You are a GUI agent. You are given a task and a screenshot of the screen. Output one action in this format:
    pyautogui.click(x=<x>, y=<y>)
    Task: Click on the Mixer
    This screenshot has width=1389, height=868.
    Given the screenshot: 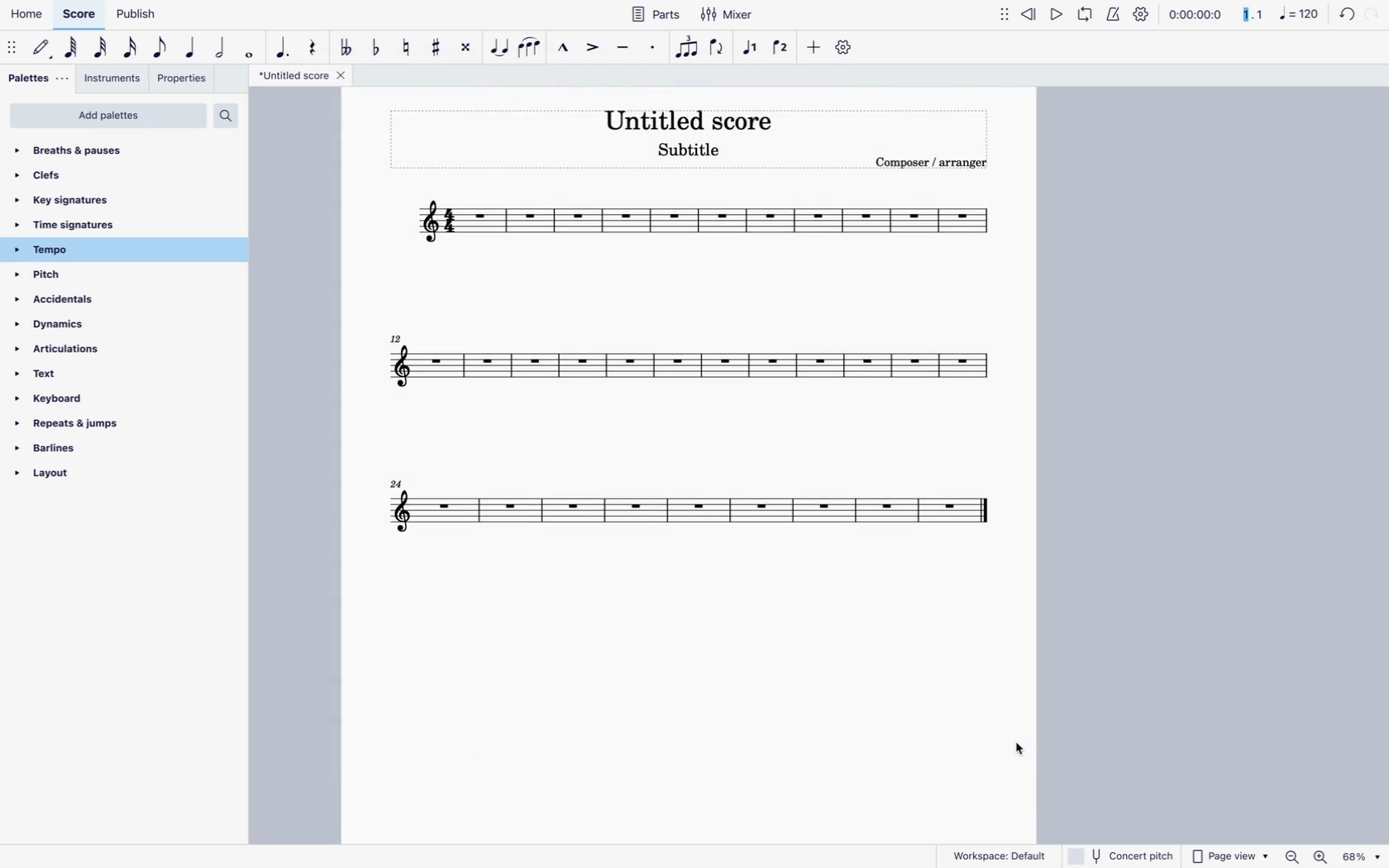 What is the action you would take?
    pyautogui.click(x=726, y=15)
    